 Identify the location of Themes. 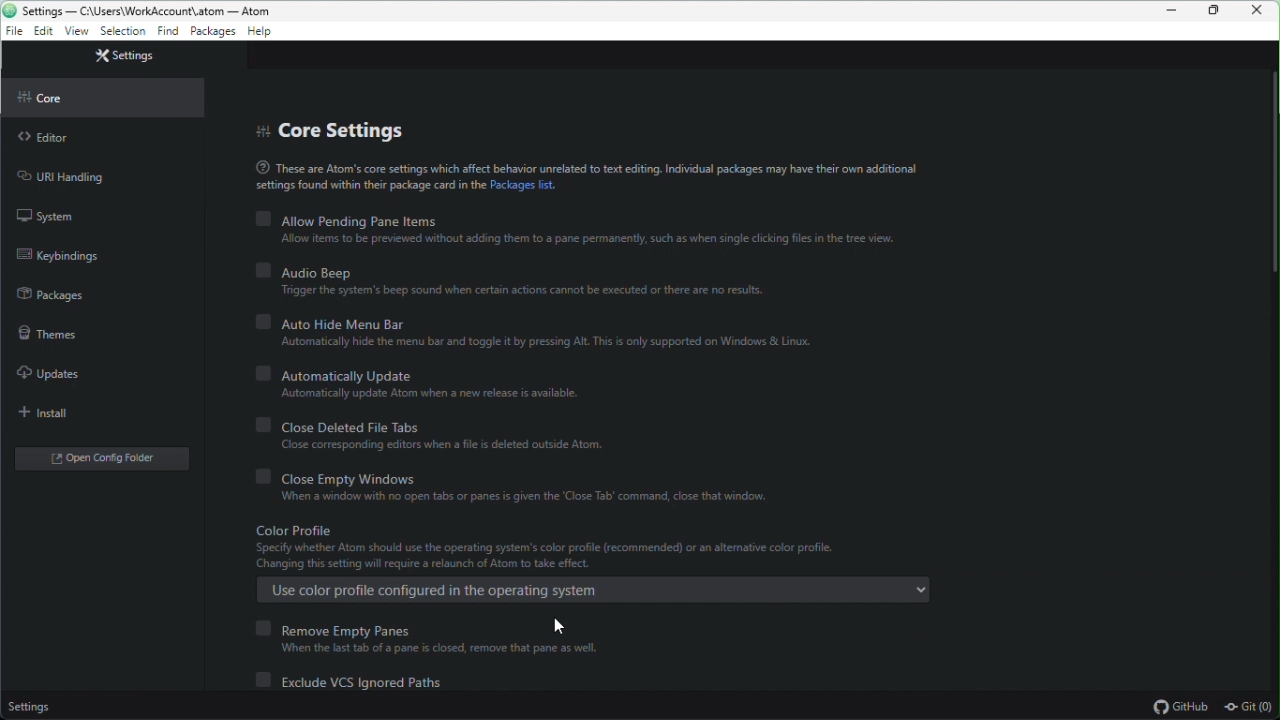
(45, 332).